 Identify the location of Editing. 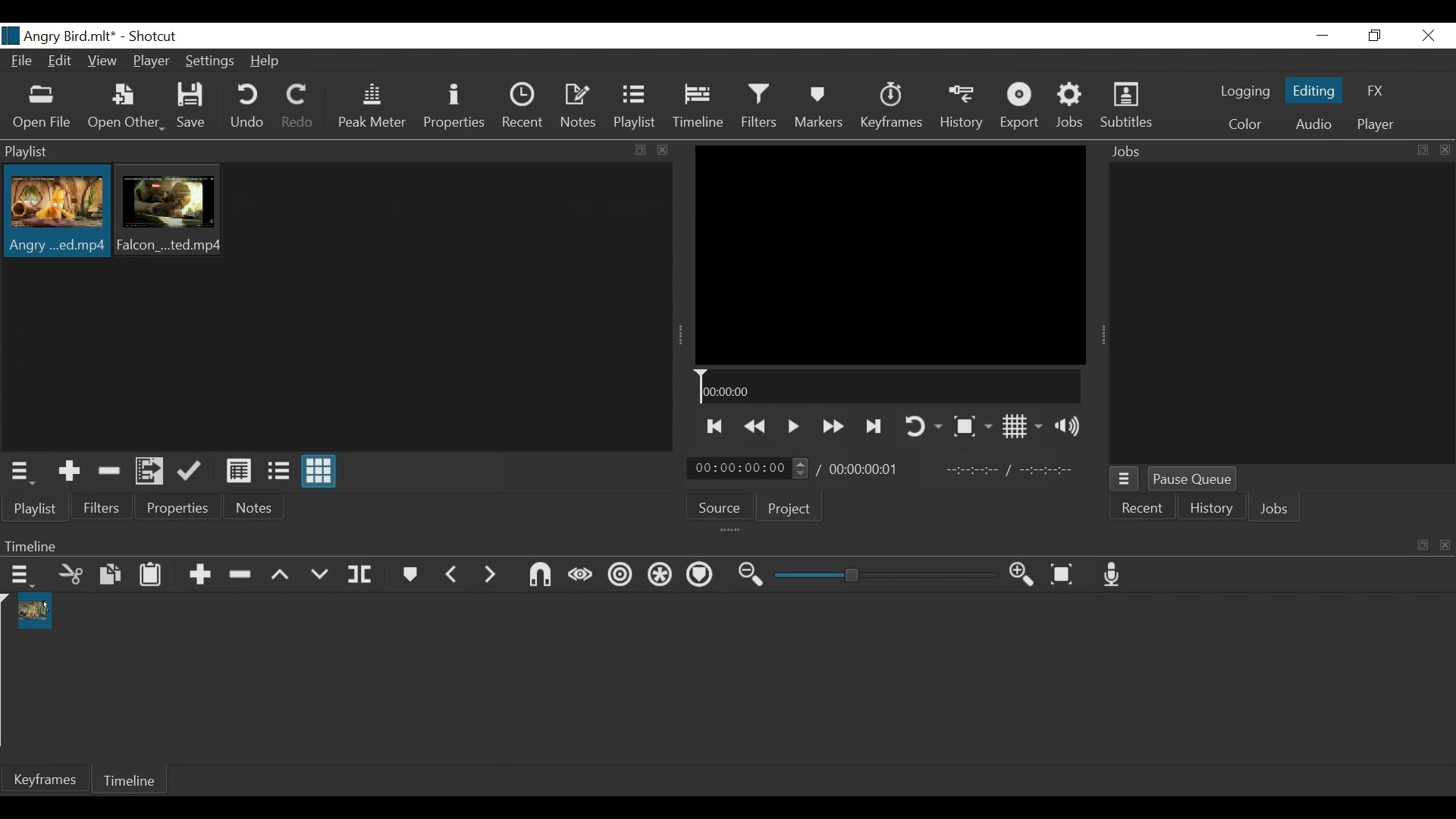
(1313, 91).